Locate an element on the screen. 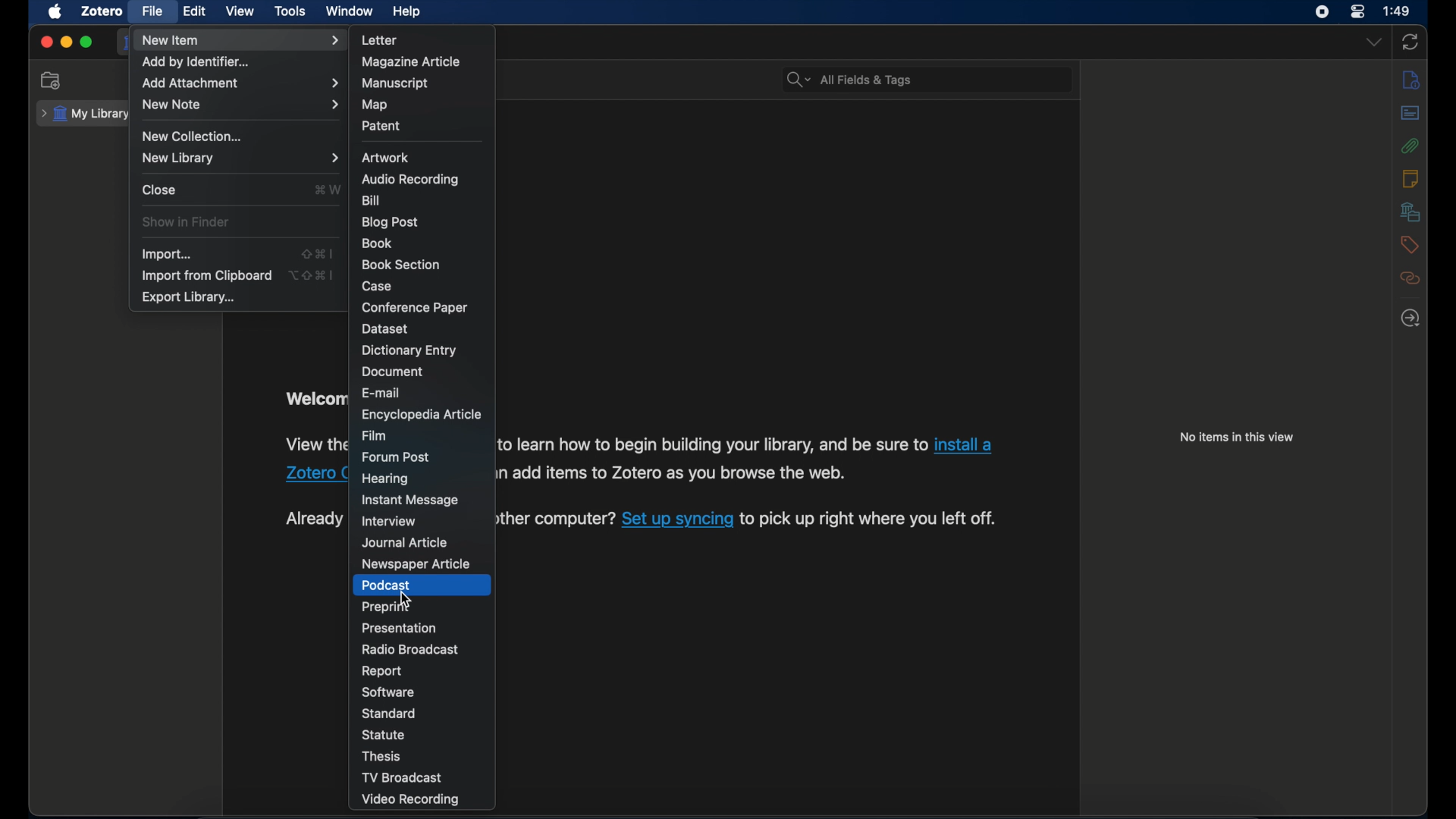  artwork is located at coordinates (386, 158).